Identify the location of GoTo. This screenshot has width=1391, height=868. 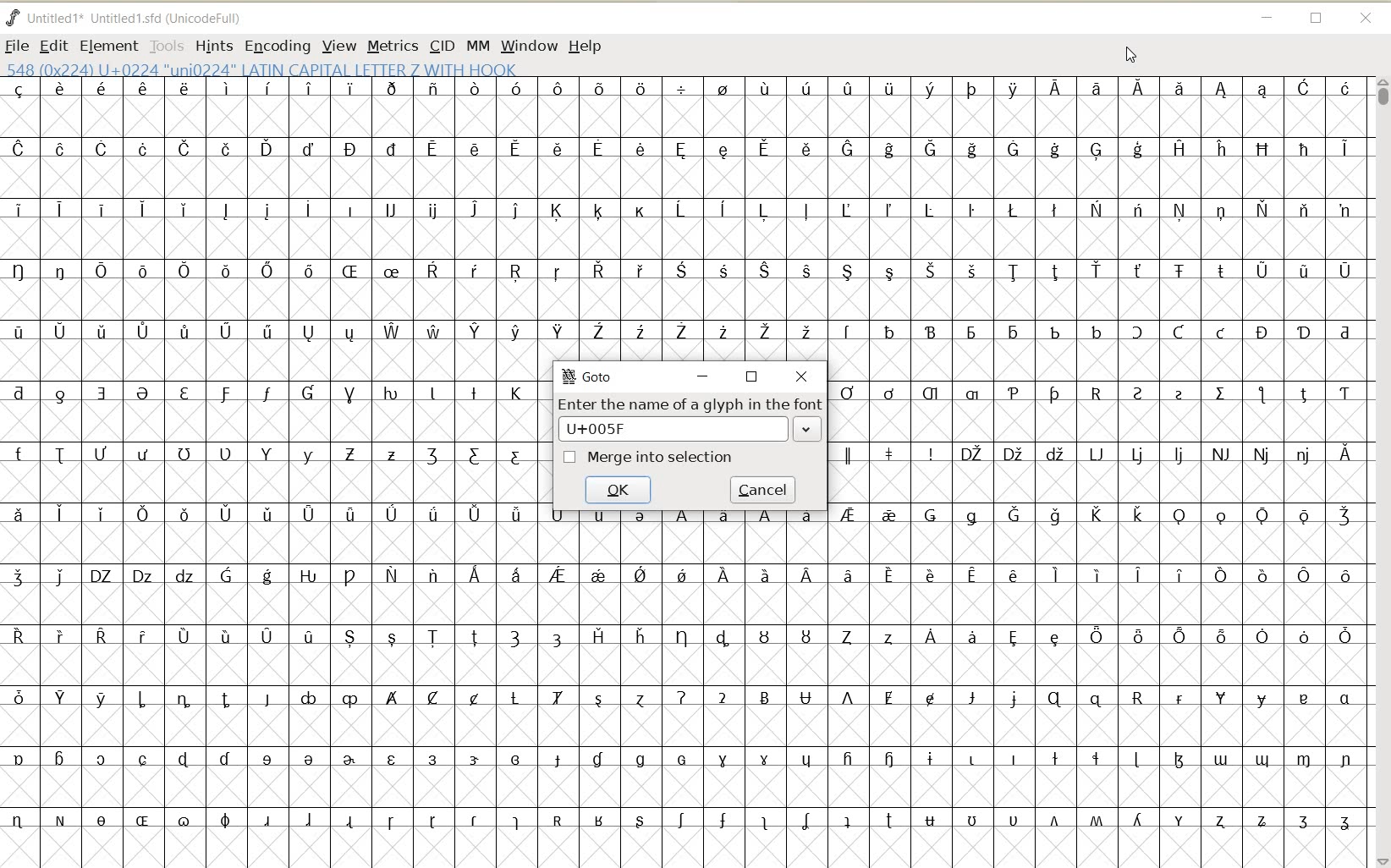
(589, 376).